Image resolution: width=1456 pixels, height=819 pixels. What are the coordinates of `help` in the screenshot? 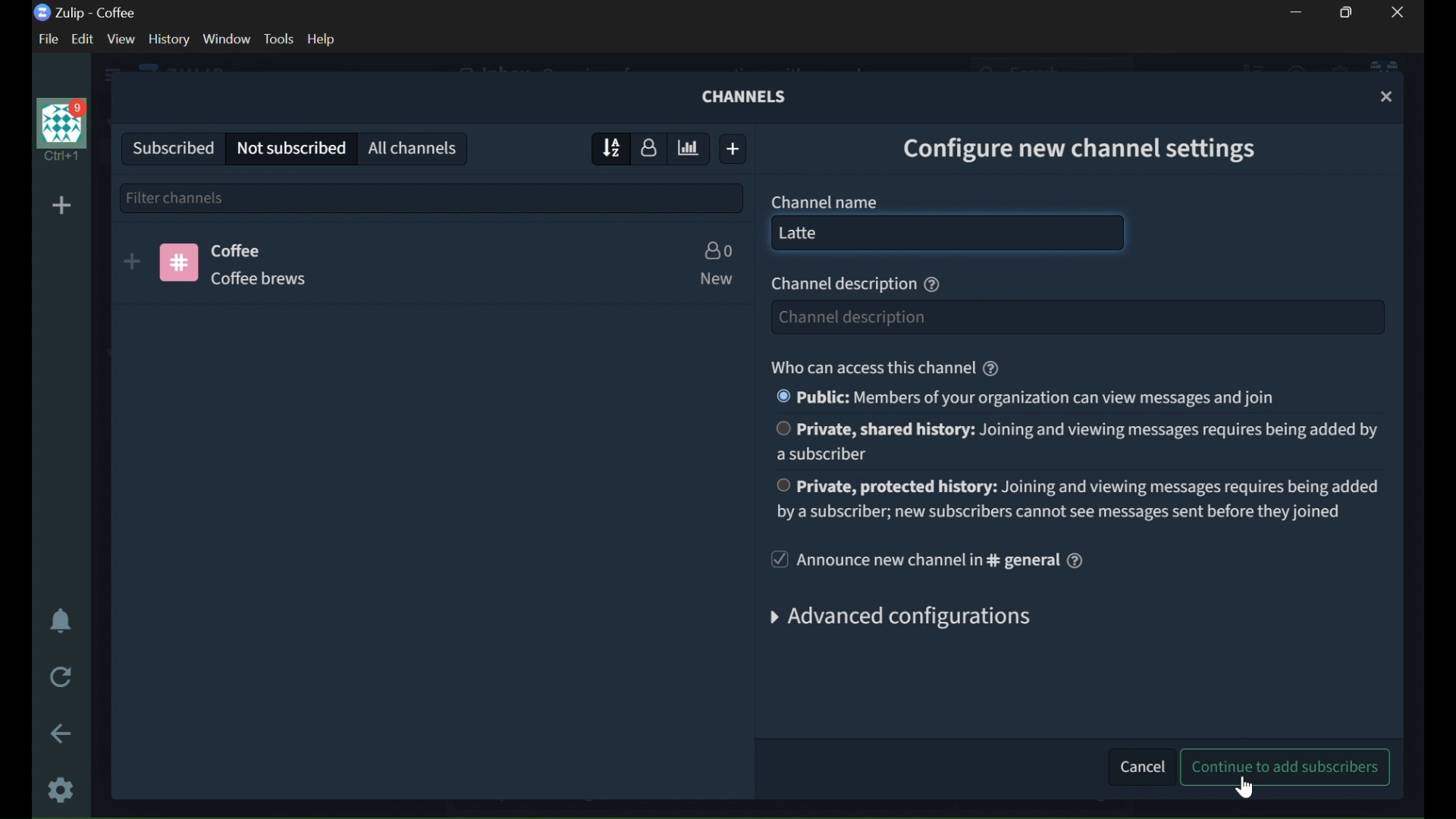 It's located at (991, 369).